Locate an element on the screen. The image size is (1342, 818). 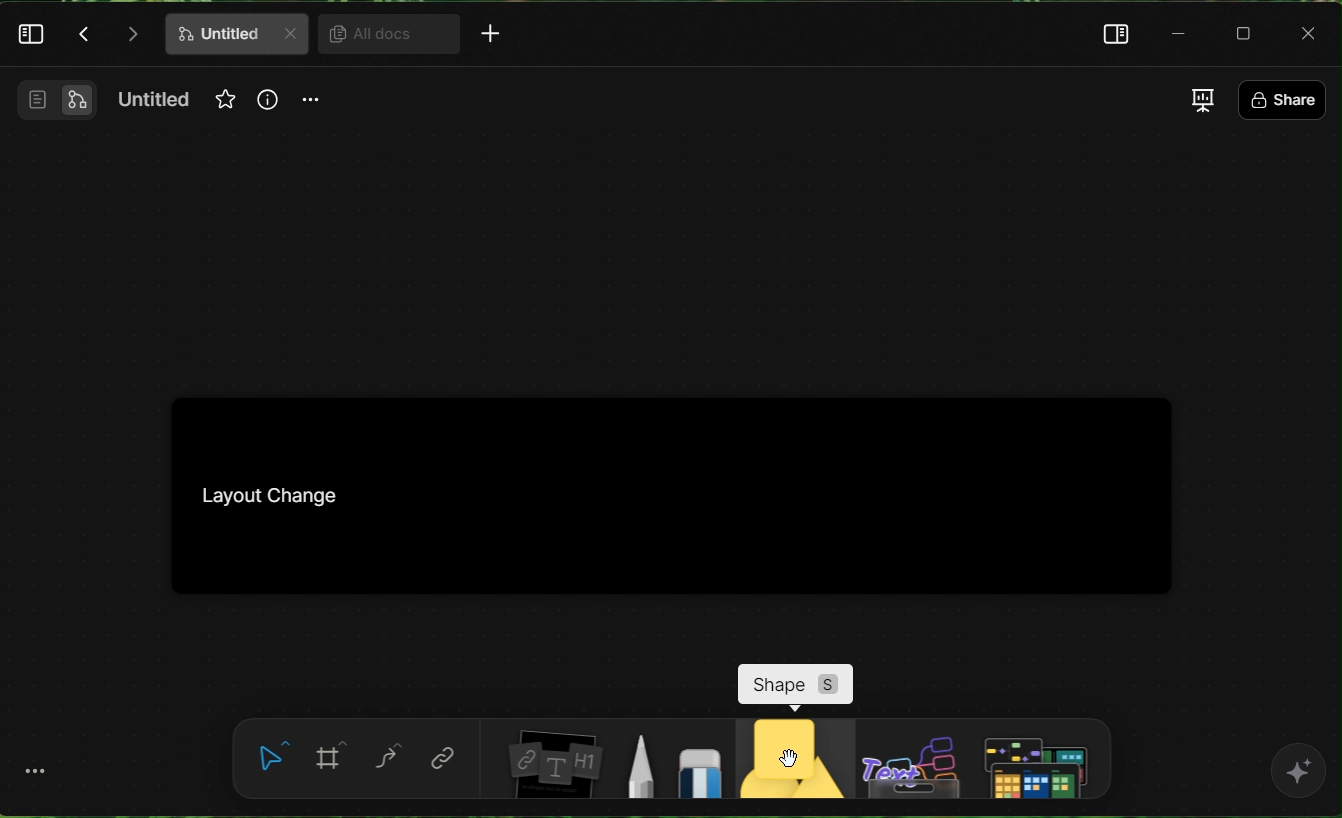
shape is located at coordinates (795, 683).